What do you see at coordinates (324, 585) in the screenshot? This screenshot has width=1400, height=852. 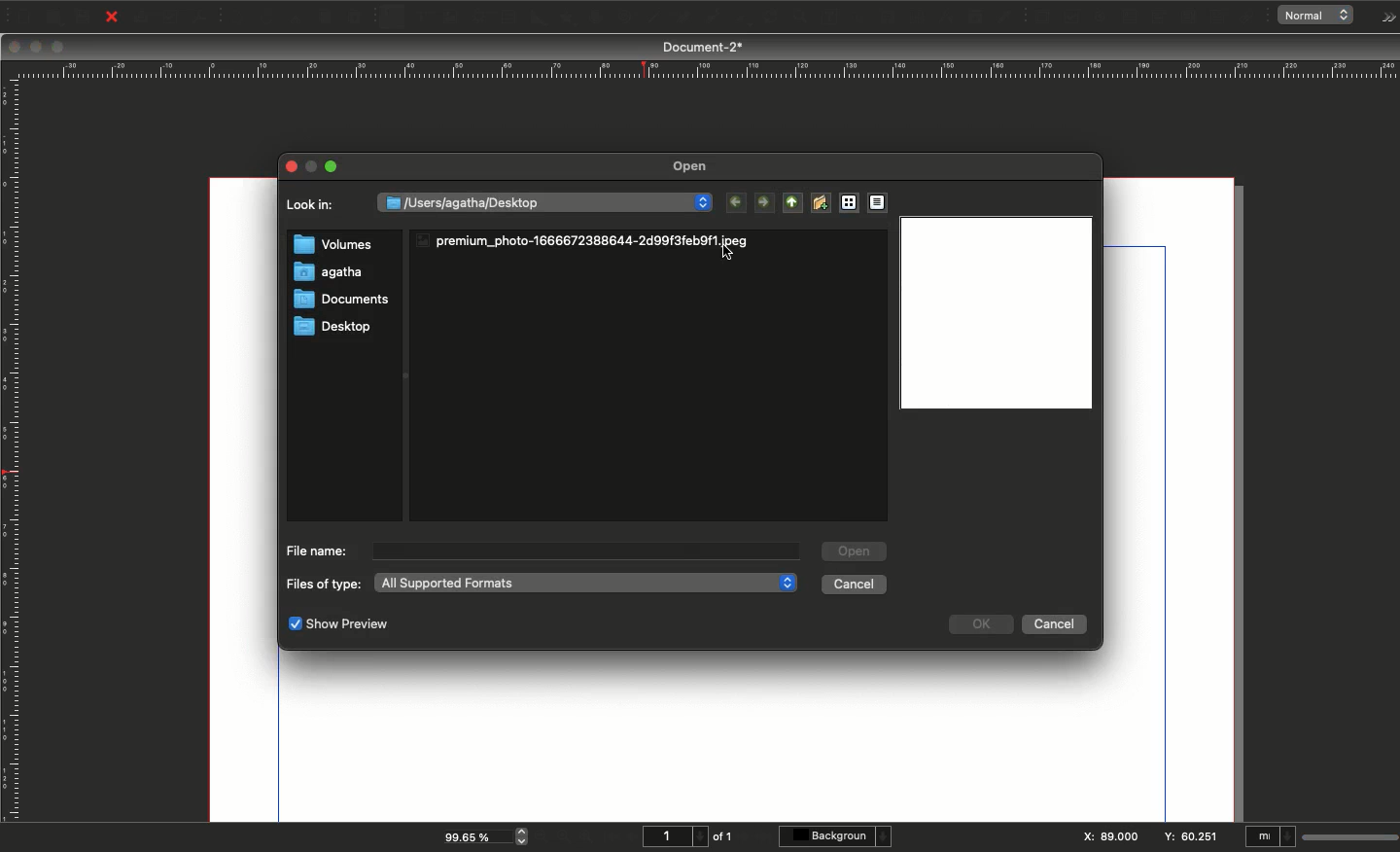 I see `Files of type` at bounding box center [324, 585].